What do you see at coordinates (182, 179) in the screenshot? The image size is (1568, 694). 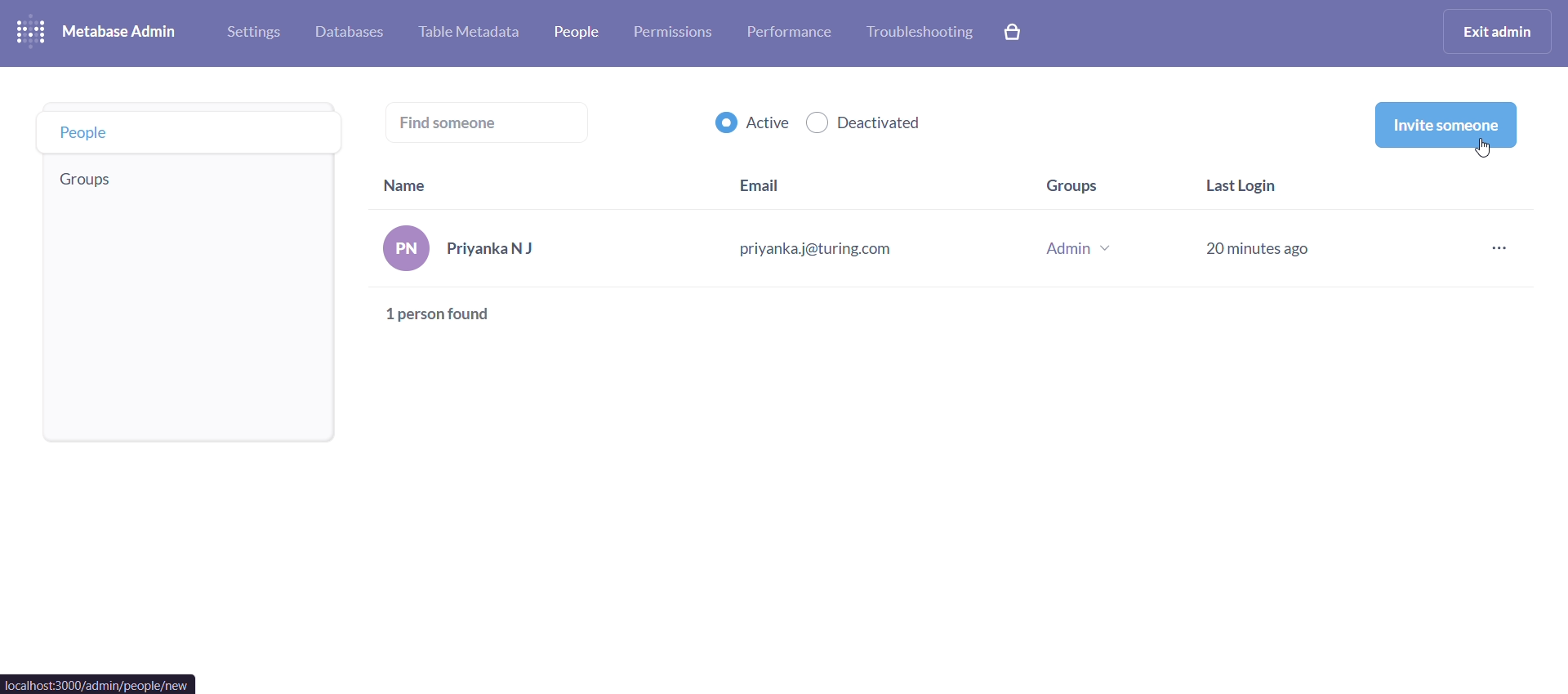 I see `groups` at bounding box center [182, 179].